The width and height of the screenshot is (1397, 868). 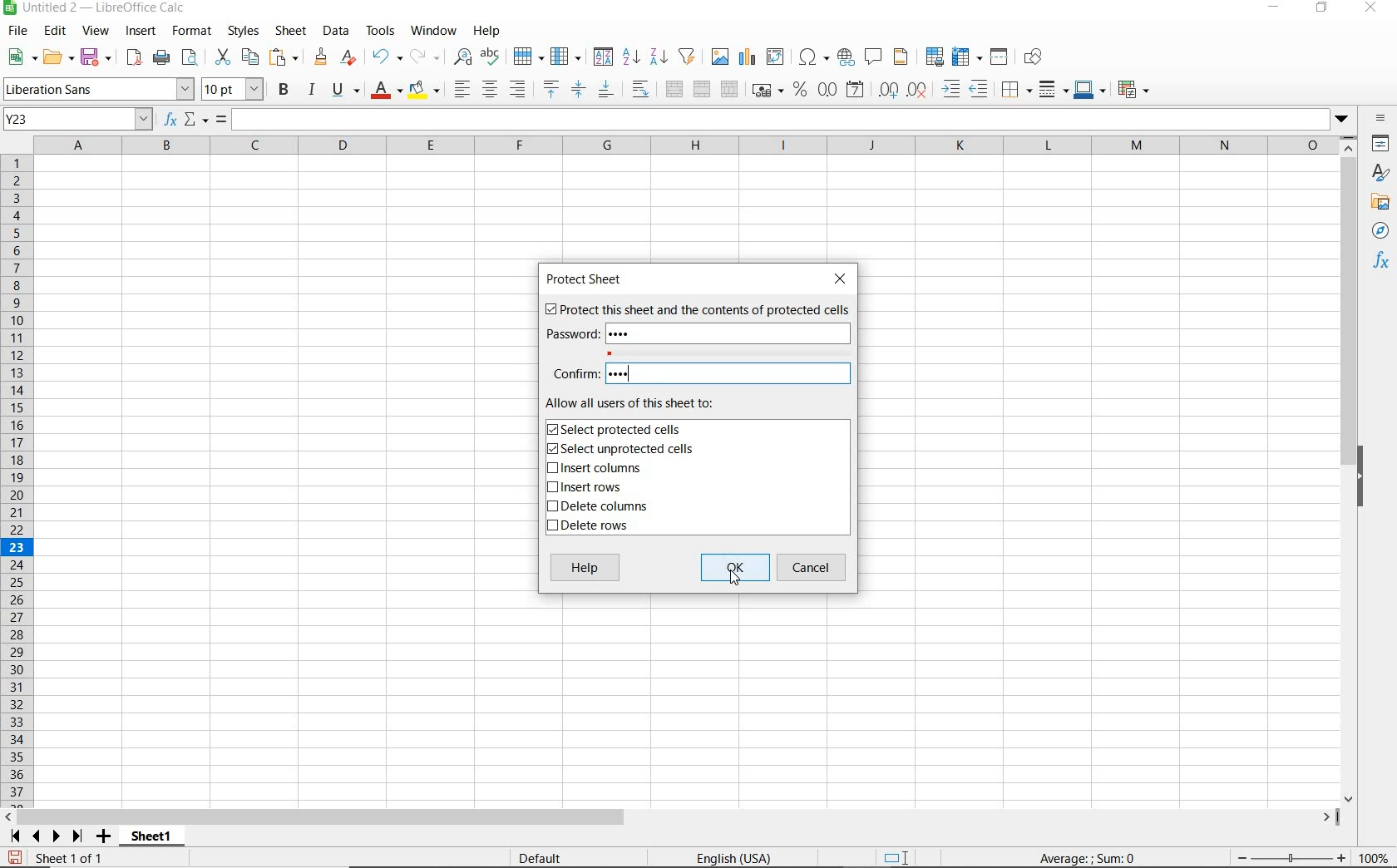 I want to click on FORMAT, so click(x=190, y=30).